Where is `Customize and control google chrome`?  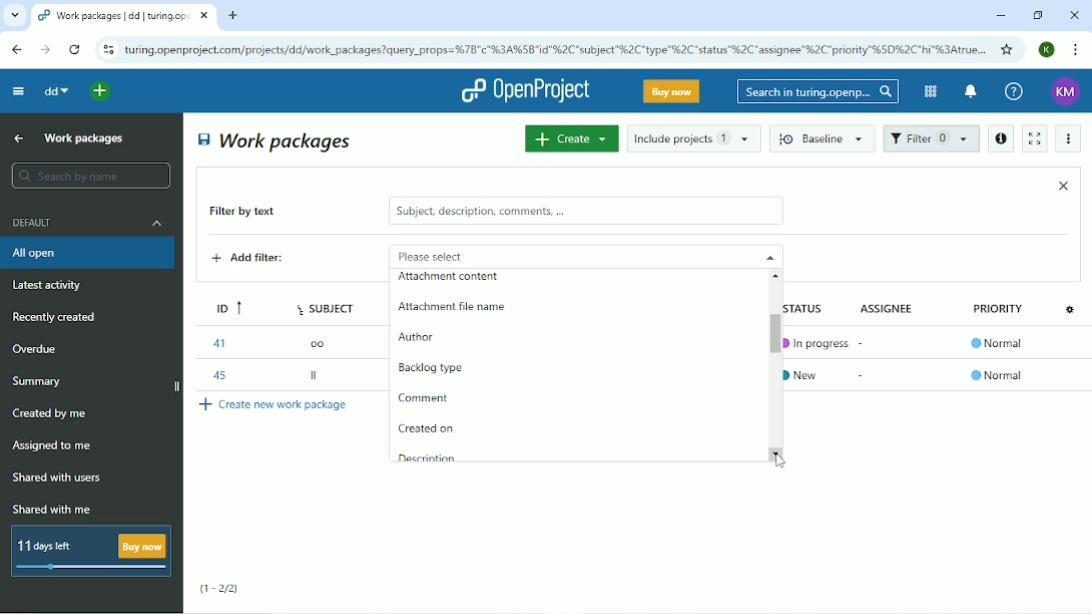
Customize and control google chrome is located at coordinates (1077, 50).